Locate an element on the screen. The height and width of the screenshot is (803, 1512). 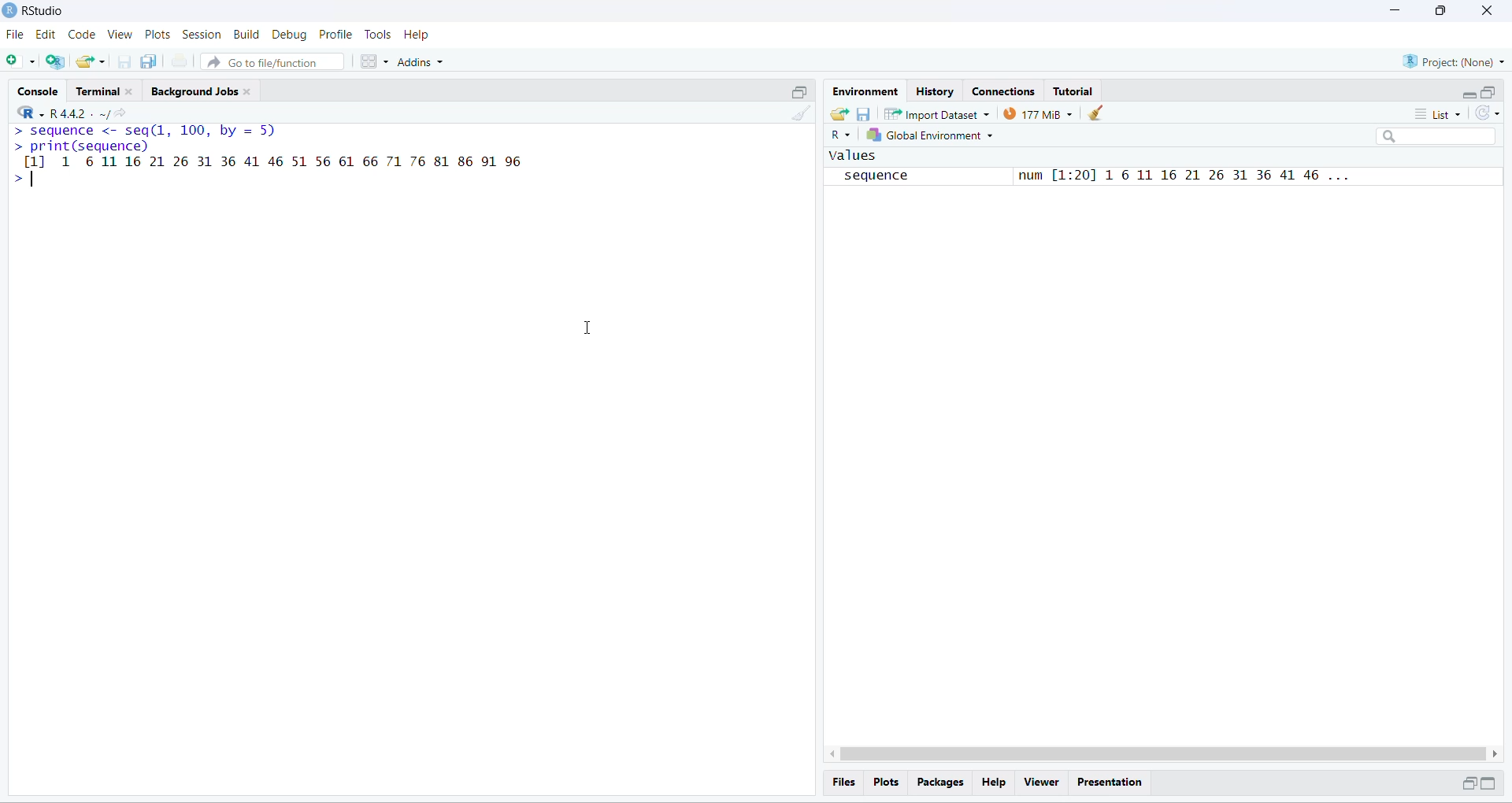
plots is located at coordinates (887, 783).